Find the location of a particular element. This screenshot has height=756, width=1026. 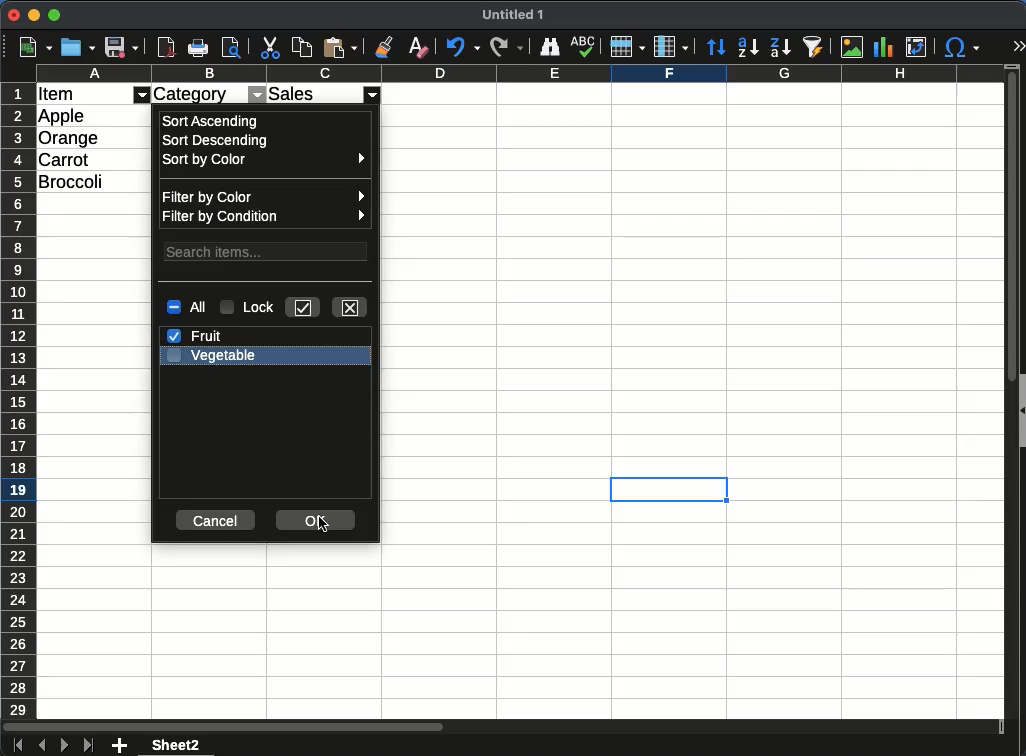

redo is located at coordinates (506, 48).